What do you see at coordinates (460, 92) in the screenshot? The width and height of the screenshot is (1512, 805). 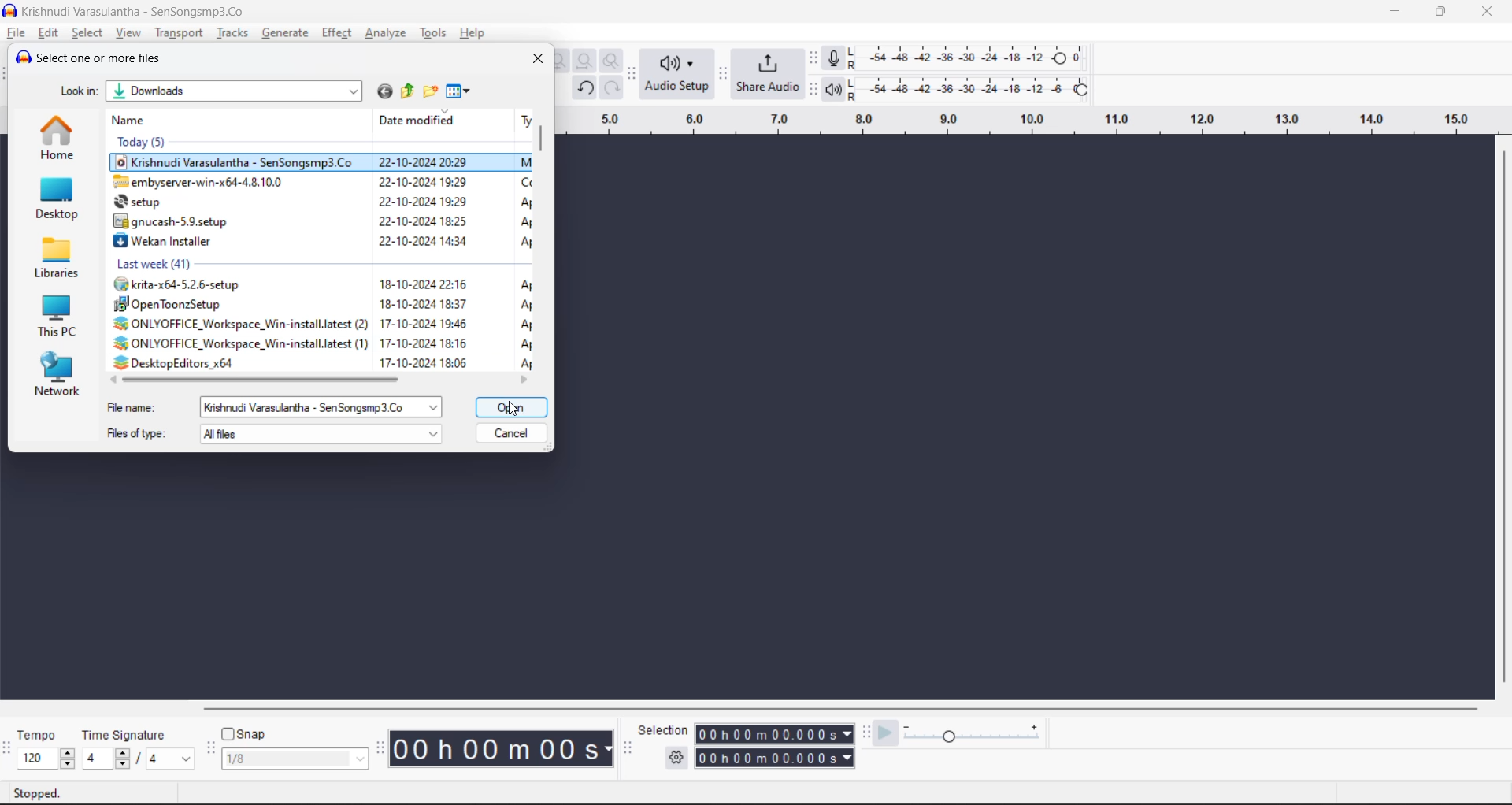 I see `view menu` at bounding box center [460, 92].